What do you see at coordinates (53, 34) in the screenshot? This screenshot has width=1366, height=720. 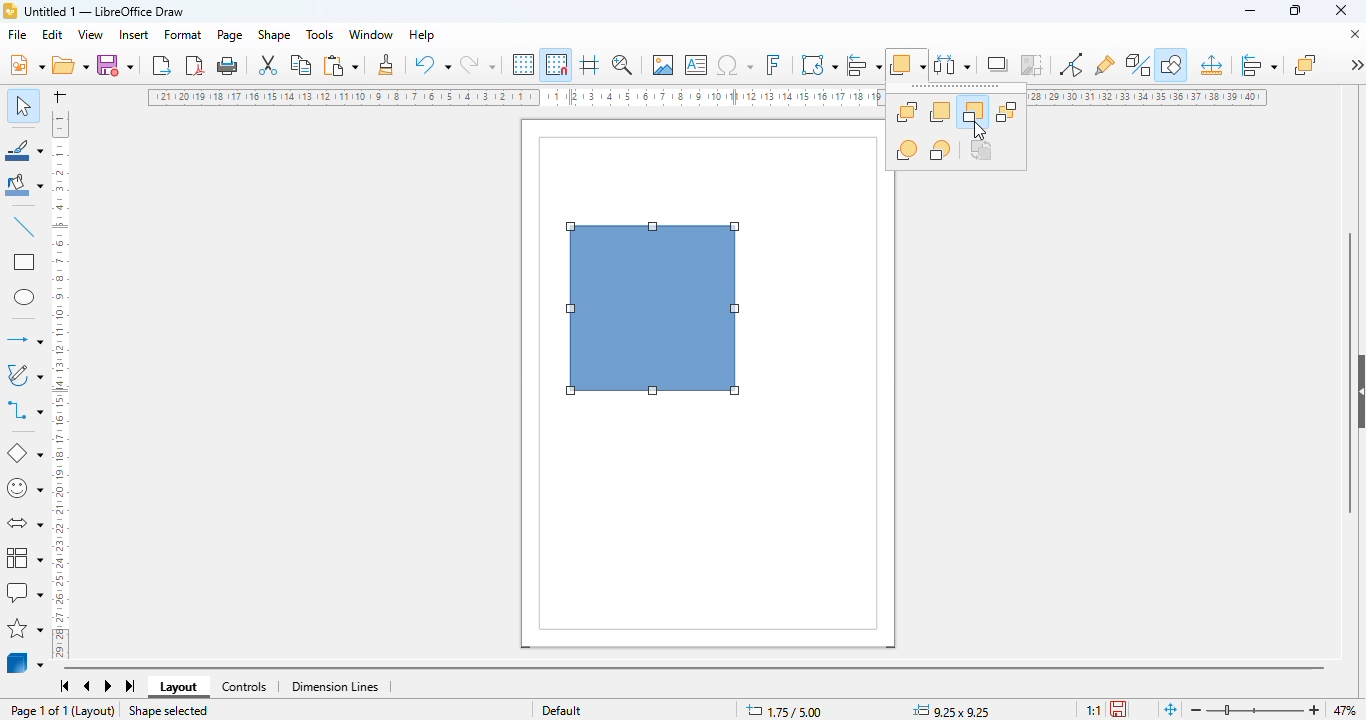 I see `edit` at bounding box center [53, 34].